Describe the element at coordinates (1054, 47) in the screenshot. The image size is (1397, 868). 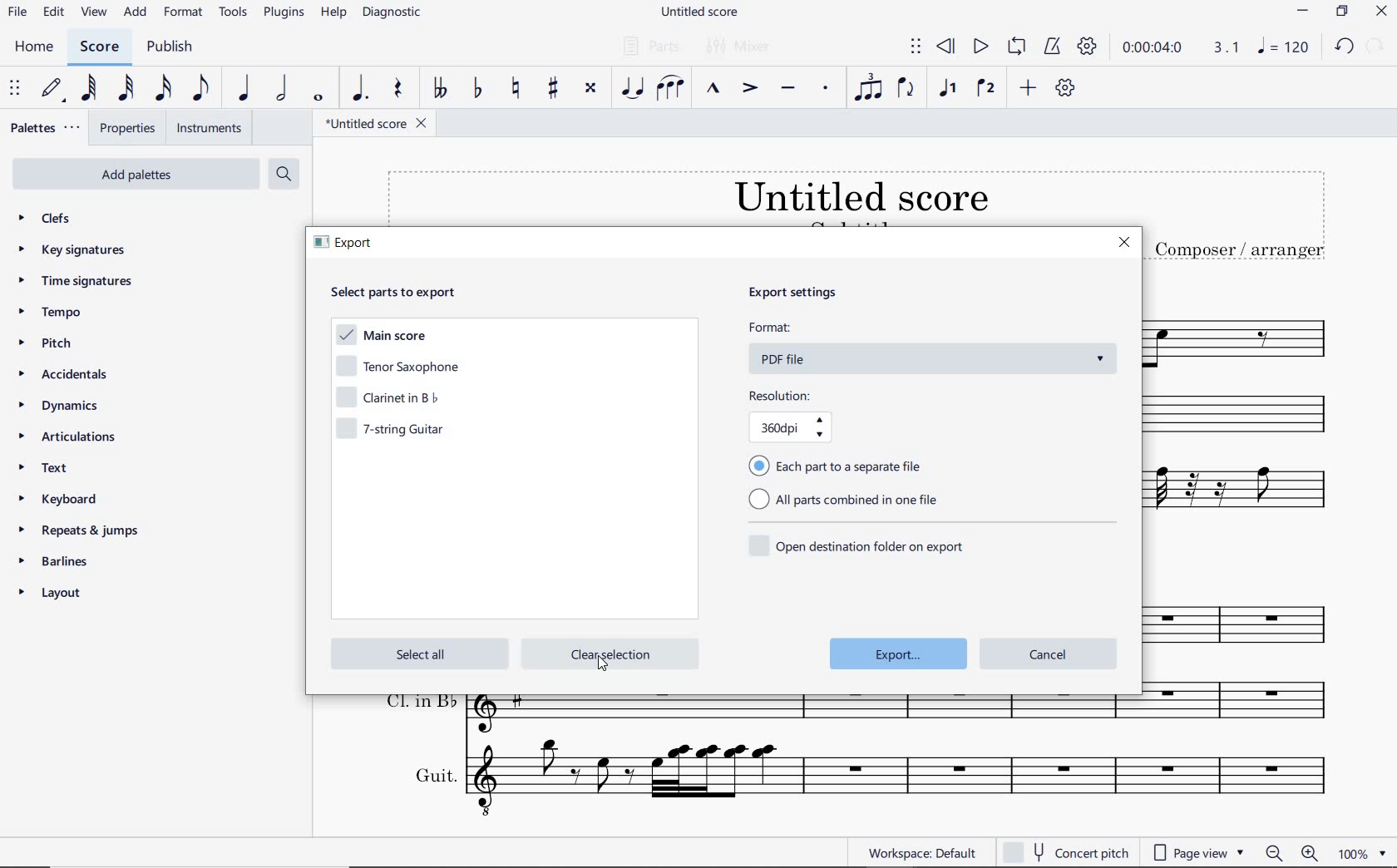
I see `METRONOME` at that location.